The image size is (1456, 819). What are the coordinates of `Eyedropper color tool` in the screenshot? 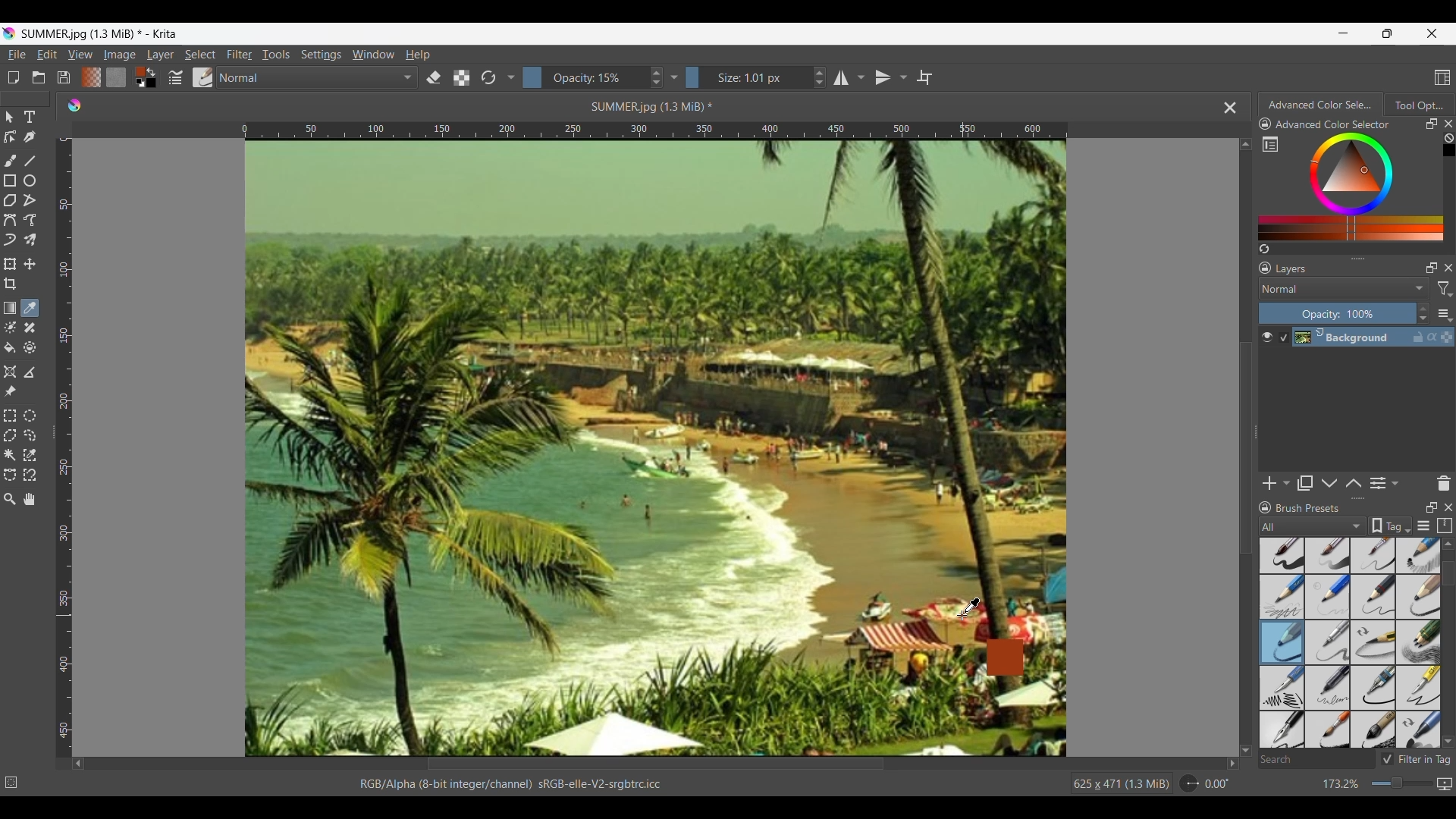 It's located at (29, 308).